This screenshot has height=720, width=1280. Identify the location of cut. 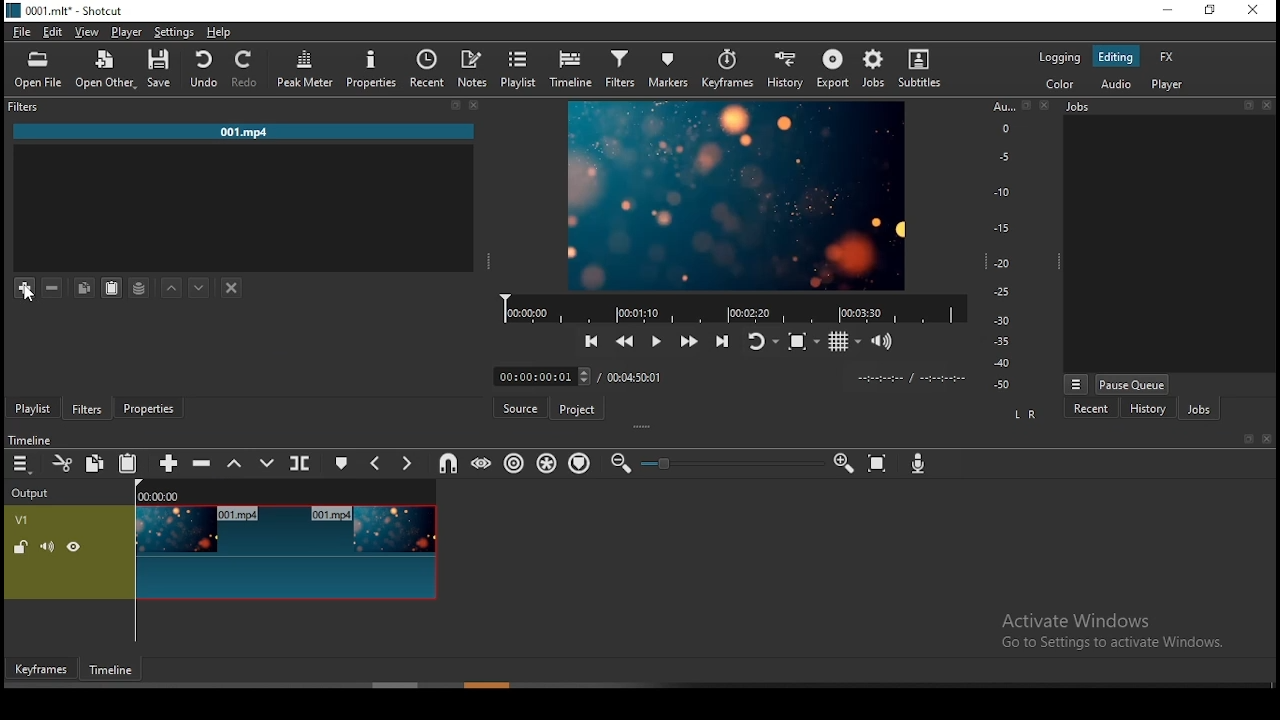
(63, 463).